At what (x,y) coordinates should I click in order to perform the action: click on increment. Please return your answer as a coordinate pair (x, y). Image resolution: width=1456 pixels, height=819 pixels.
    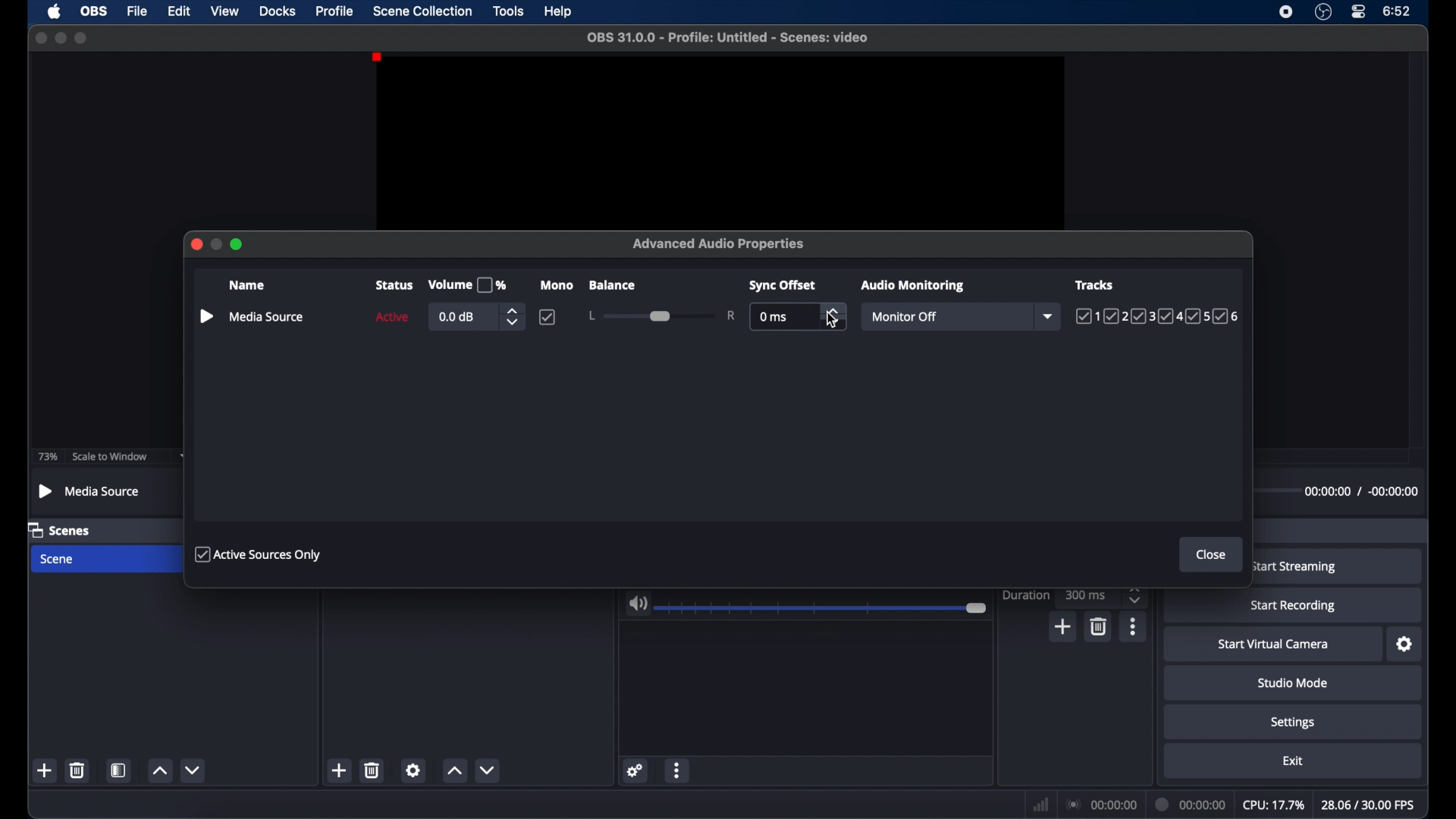
    Looking at the image, I should click on (158, 770).